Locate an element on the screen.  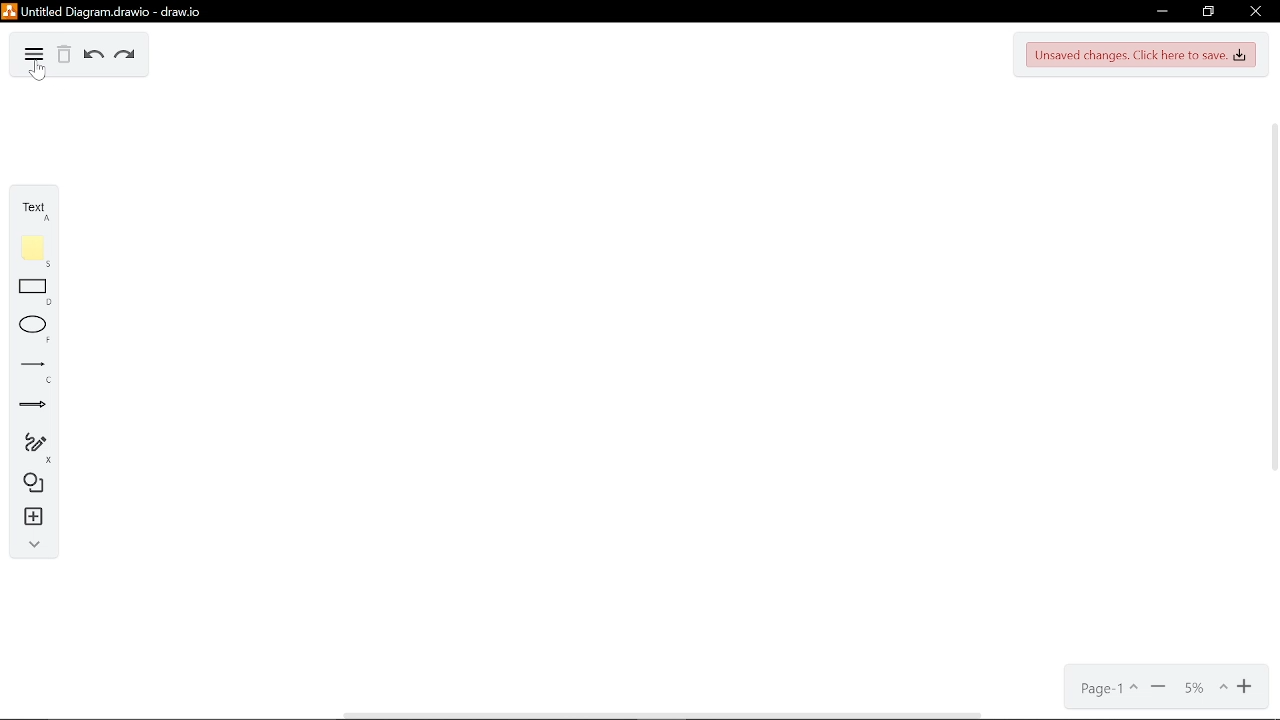
Text is located at coordinates (28, 208).